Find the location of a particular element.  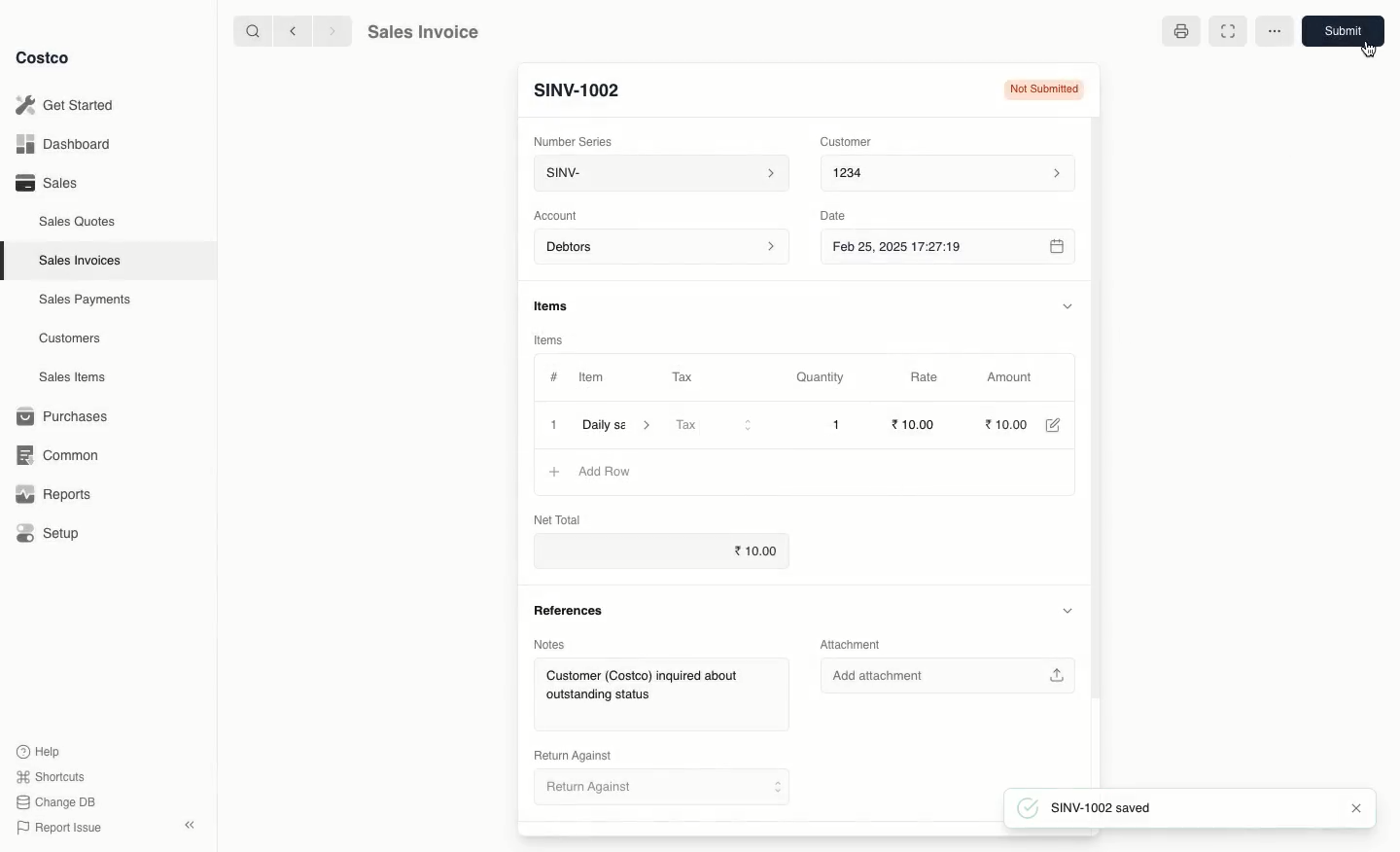

Sales Payments is located at coordinates (81, 301).